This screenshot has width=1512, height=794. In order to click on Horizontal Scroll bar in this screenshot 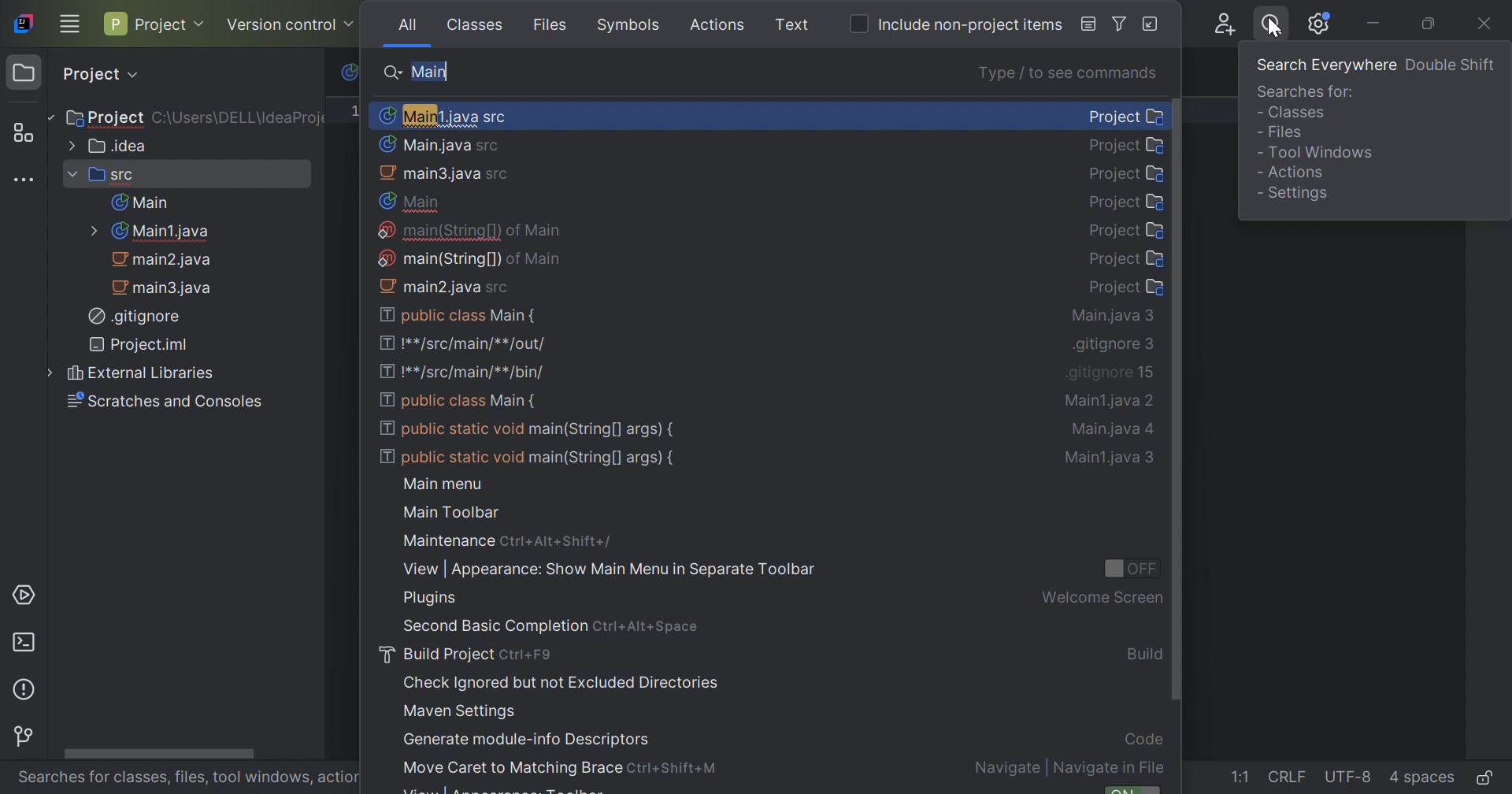, I will do `click(157, 752)`.